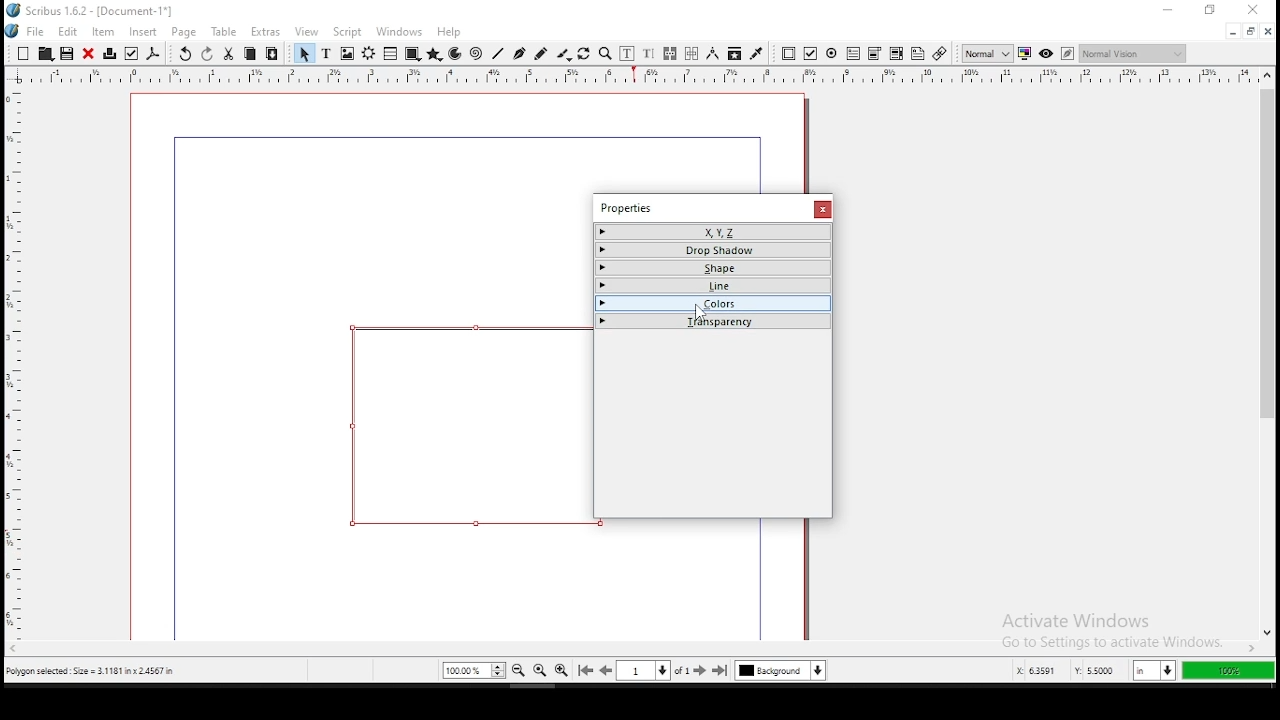 This screenshot has height=720, width=1280. What do you see at coordinates (789, 55) in the screenshot?
I see `pdf push button` at bounding box center [789, 55].